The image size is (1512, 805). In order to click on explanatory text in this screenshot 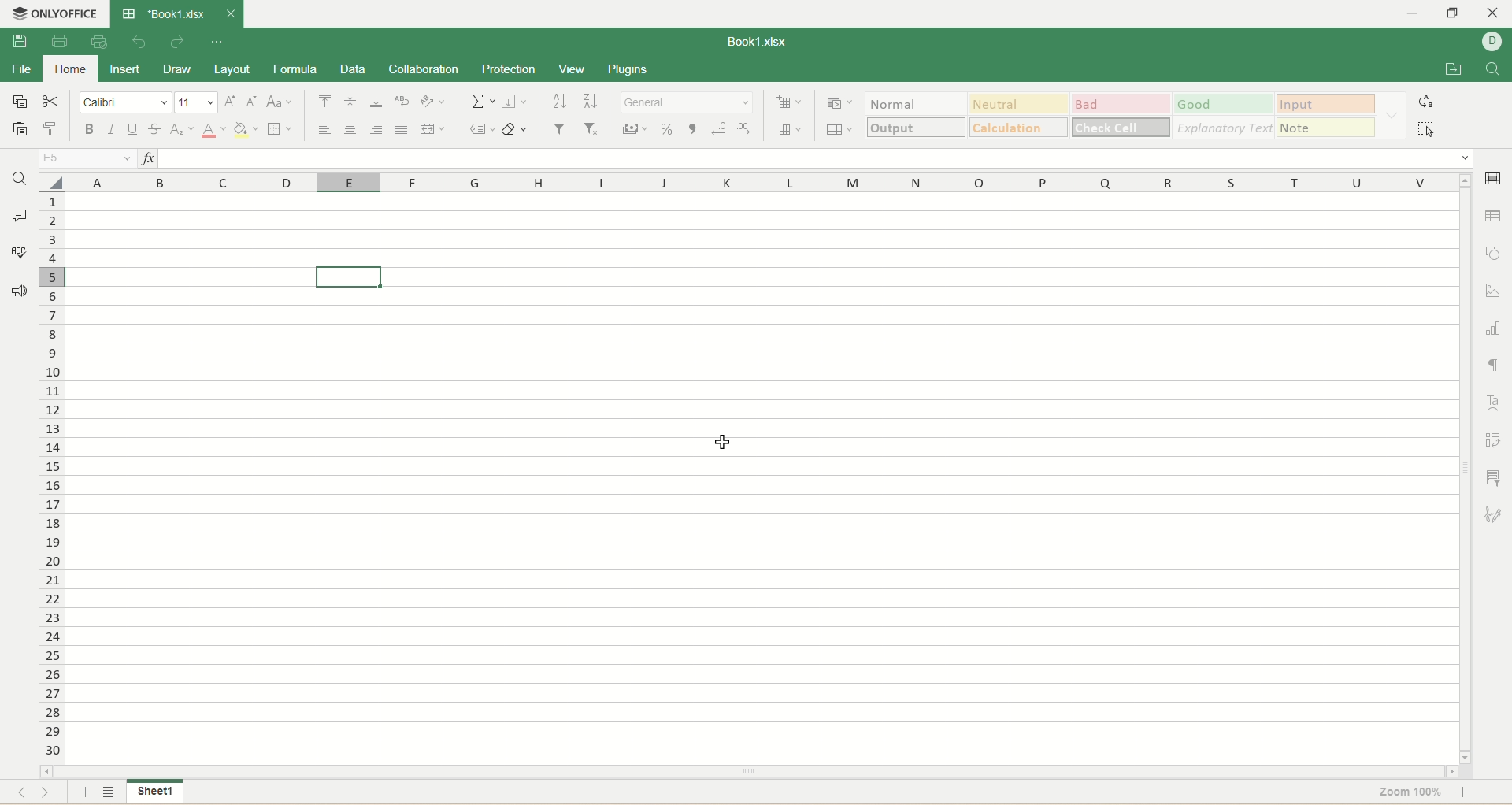, I will do `click(1224, 129)`.